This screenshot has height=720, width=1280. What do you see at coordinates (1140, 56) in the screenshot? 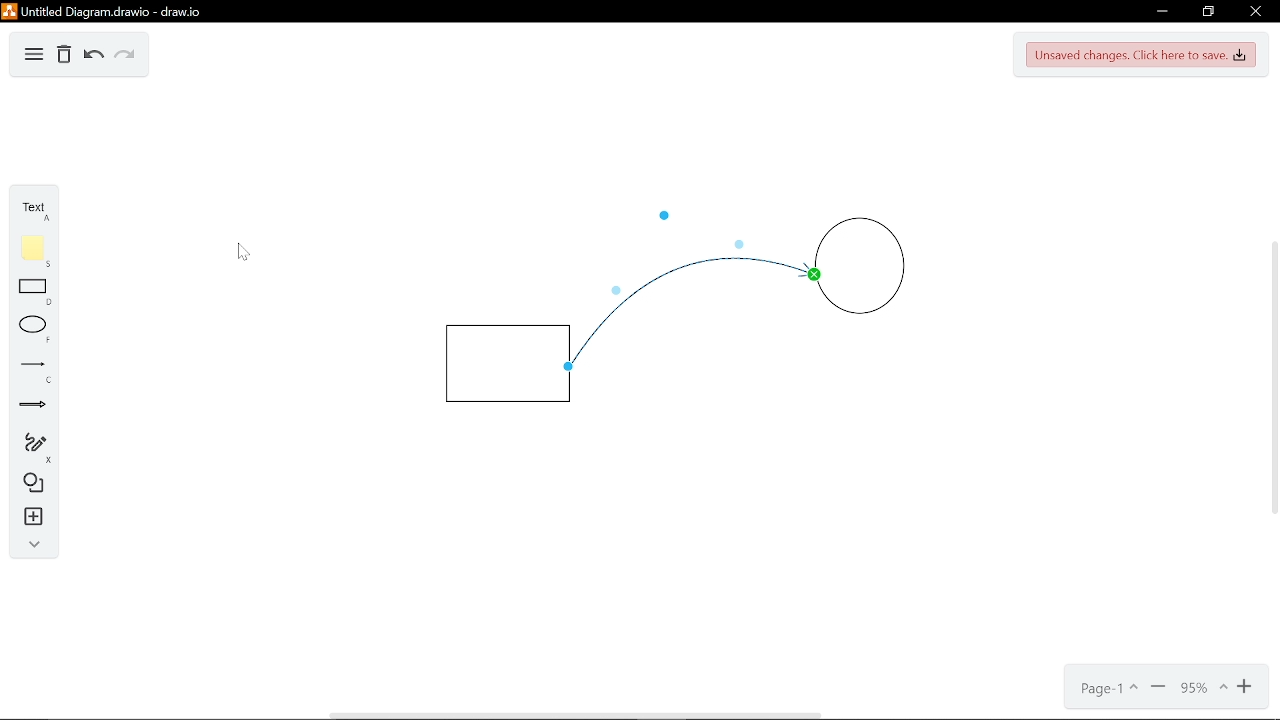
I see `Unsaved changes. Click here to save.` at bounding box center [1140, 56].